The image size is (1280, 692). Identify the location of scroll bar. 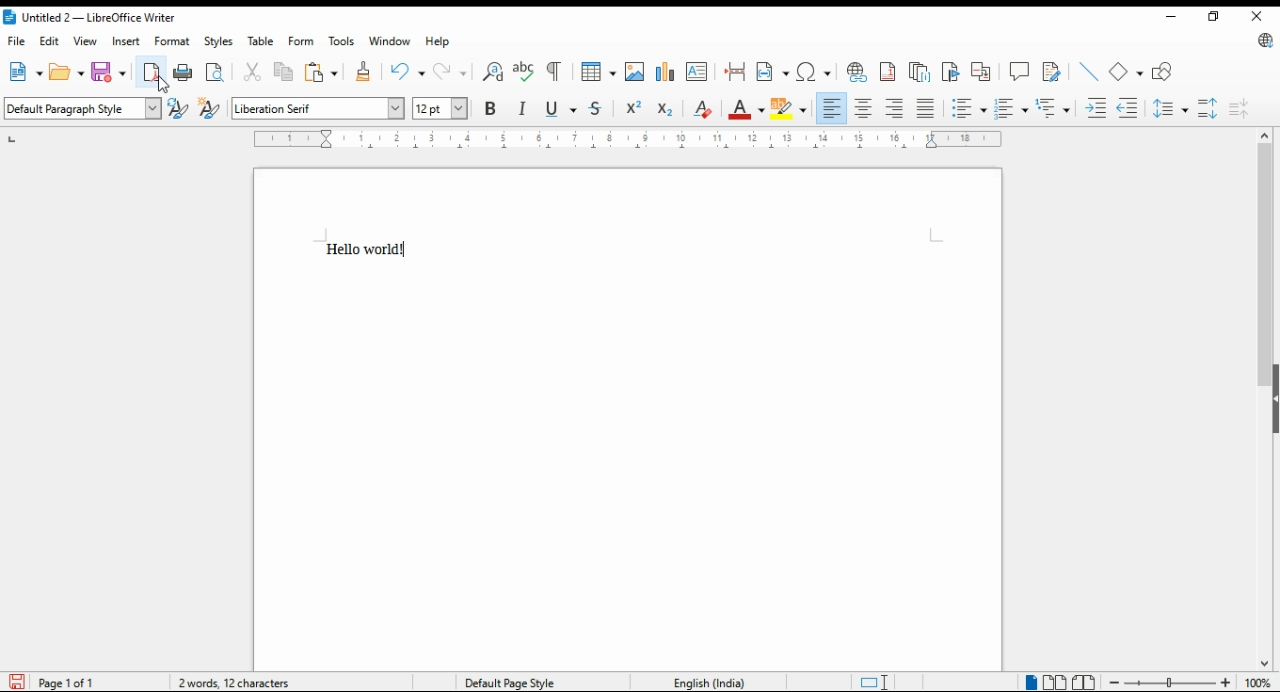
(1260, 398).